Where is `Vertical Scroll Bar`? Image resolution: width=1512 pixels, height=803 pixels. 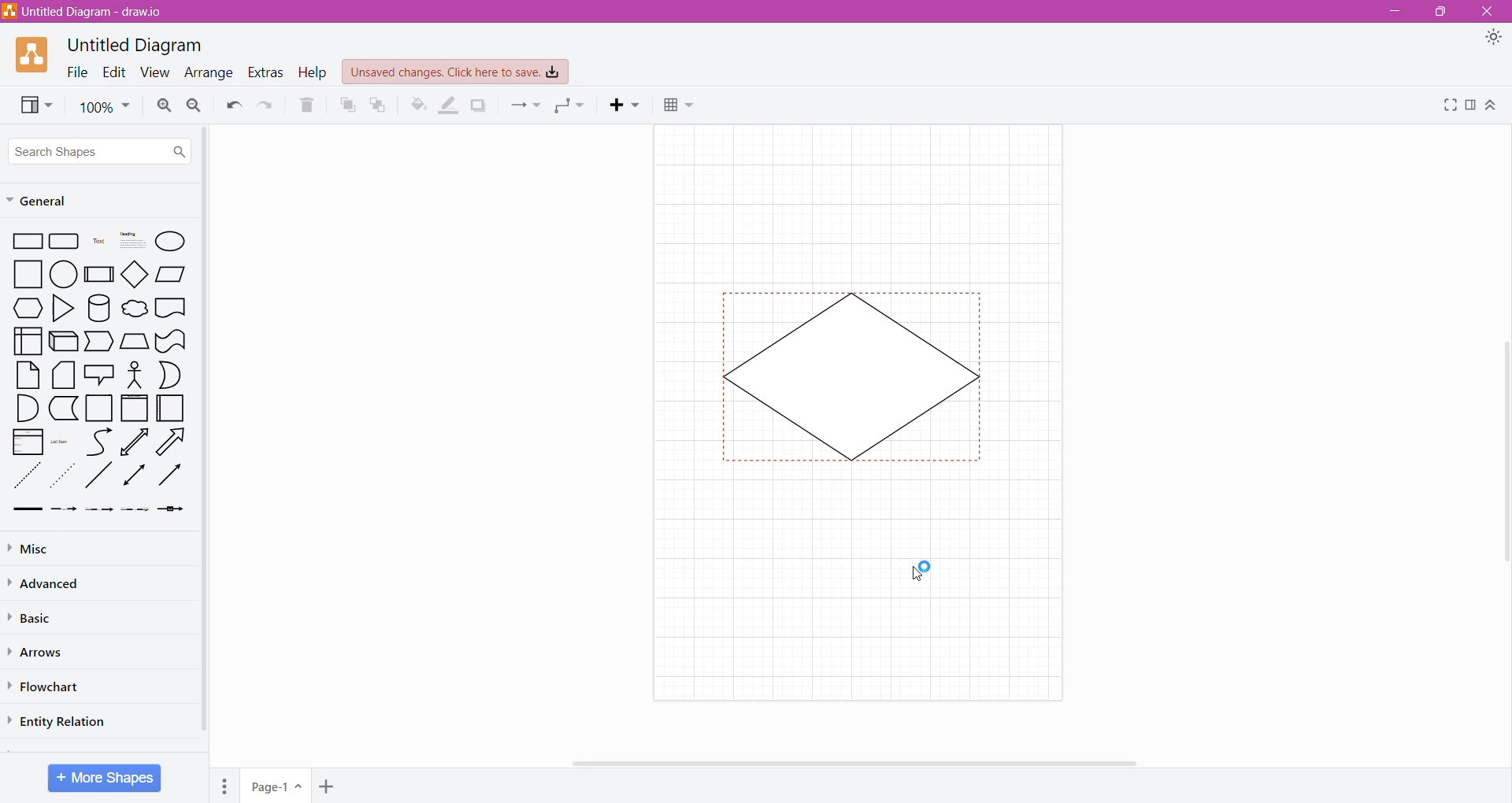 Vertical Scroll Bar is located at coordinates (1502, 447).